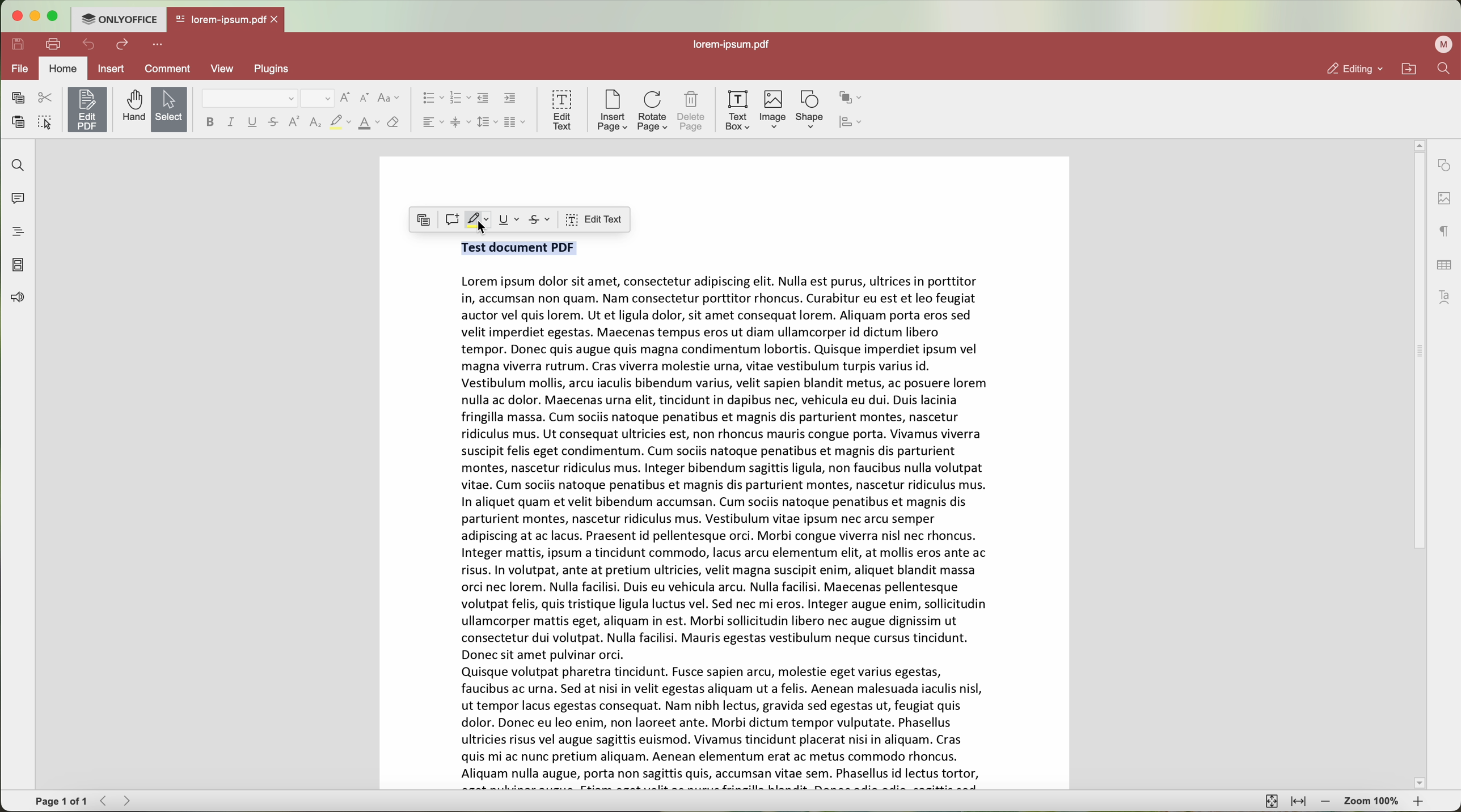 This screenshot has height=812, width=1461. Describe the element at coordinates (1445, 267) in the screenshot. I see `table settings` at that location.